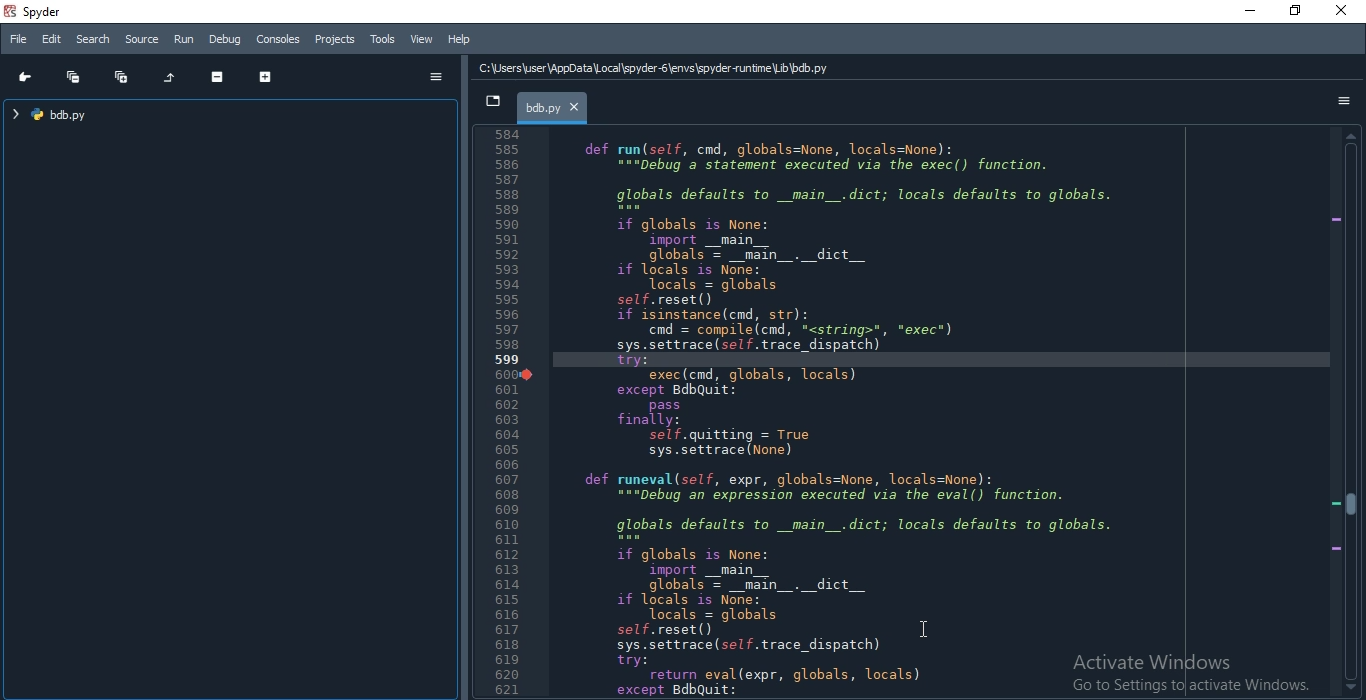 The width and height of the screenshot is (1366, 700). Describe the element at coordinates (436, 77) in the screenshot. I see `options` at that location.